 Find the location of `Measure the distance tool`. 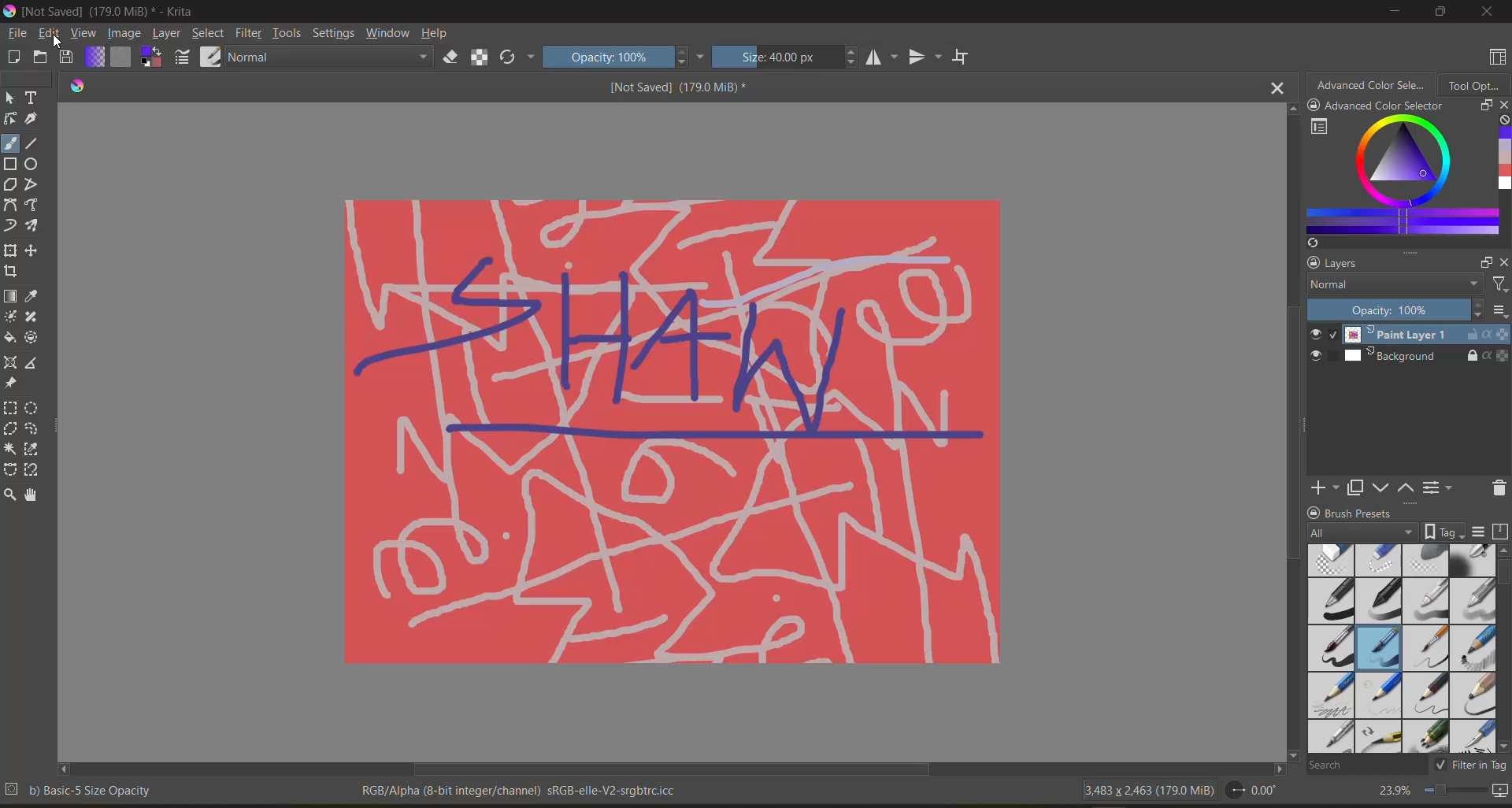

Measure the distance tool is located at coordinates (33, 361).